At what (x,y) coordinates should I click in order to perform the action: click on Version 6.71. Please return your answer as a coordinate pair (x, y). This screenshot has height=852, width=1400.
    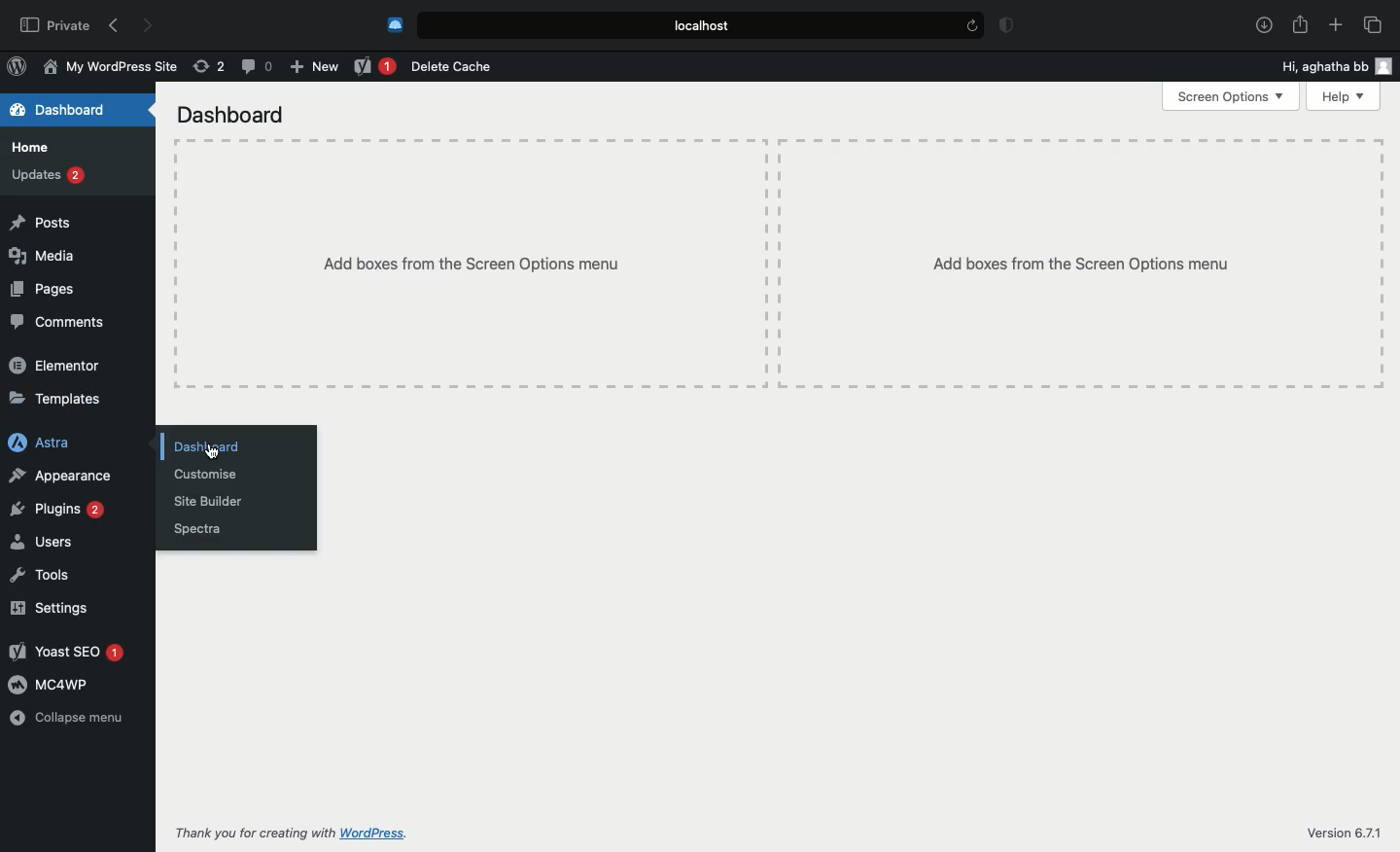
    Looking at the image, I should click on (1346, 834).